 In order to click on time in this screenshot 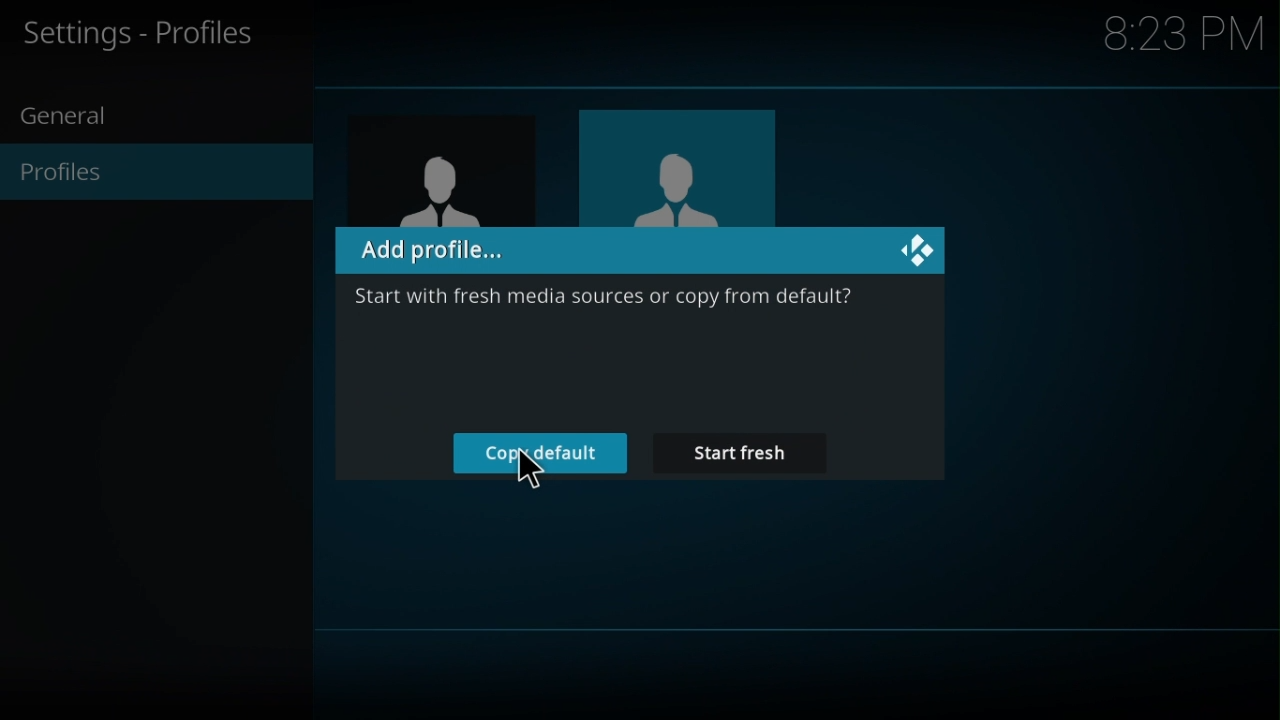, I will do `click(1182, 36)`.